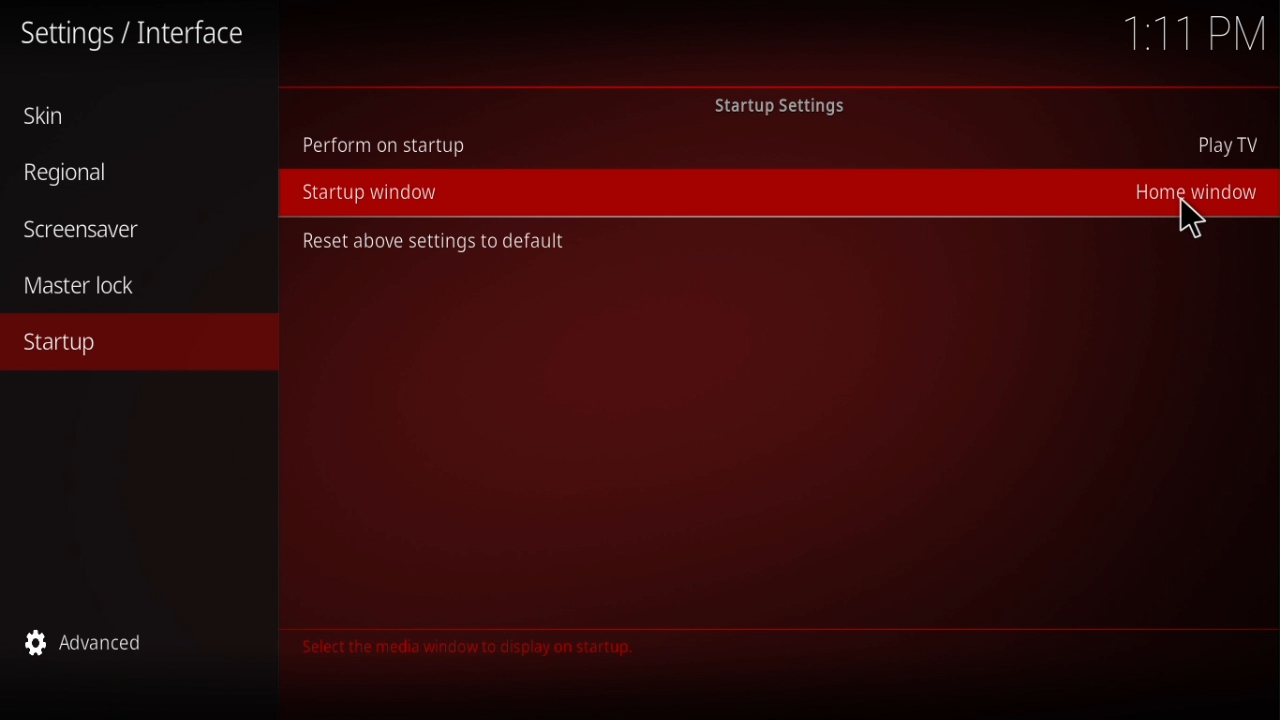 The height and width of the screenshot is (720, 1280). Describe the element at coordinates (463, 647) in the screenshot. I see `The category contains` at that location.